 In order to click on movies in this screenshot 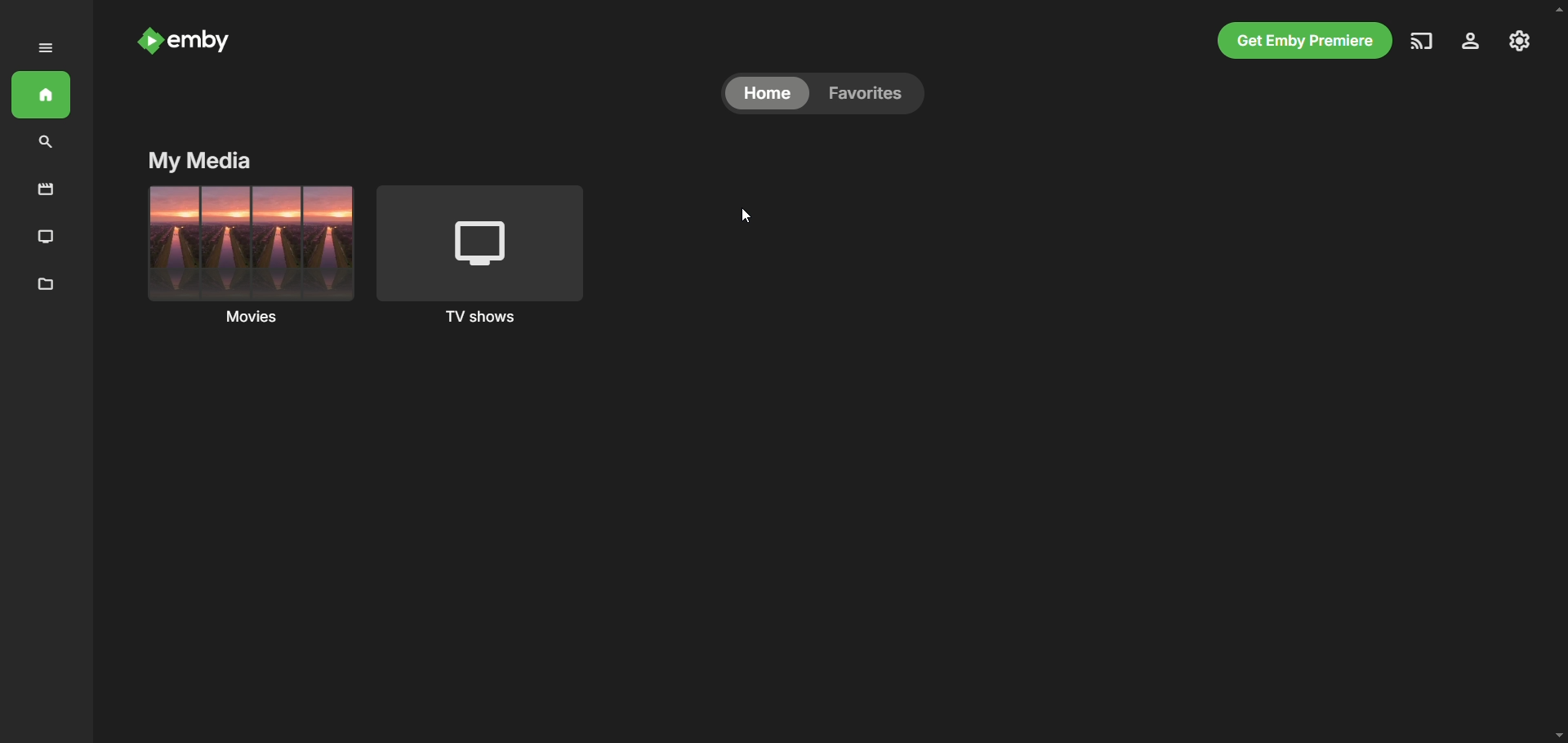, I will do `click(47, 187)`.